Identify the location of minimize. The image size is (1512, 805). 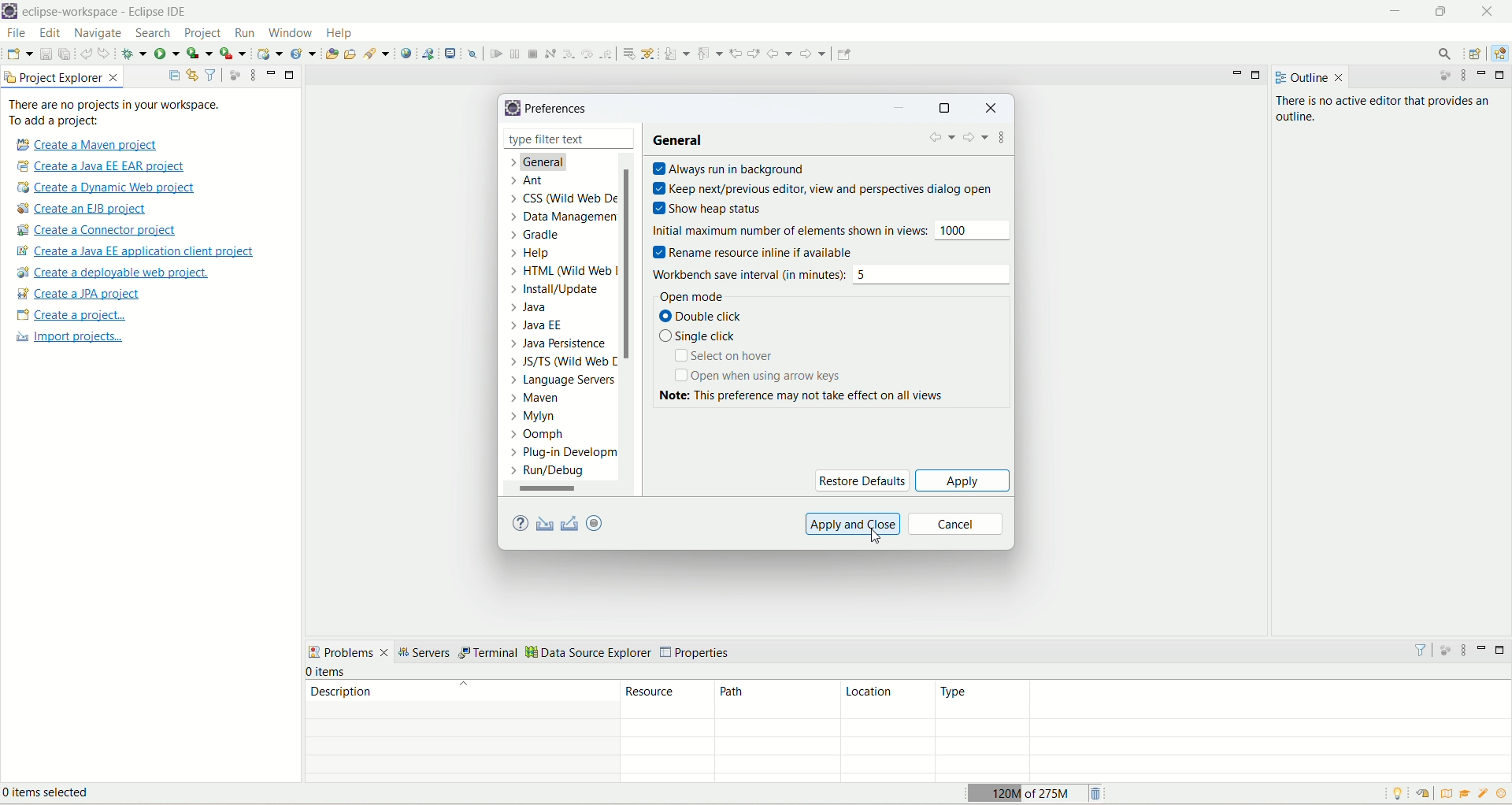
(902, 109).